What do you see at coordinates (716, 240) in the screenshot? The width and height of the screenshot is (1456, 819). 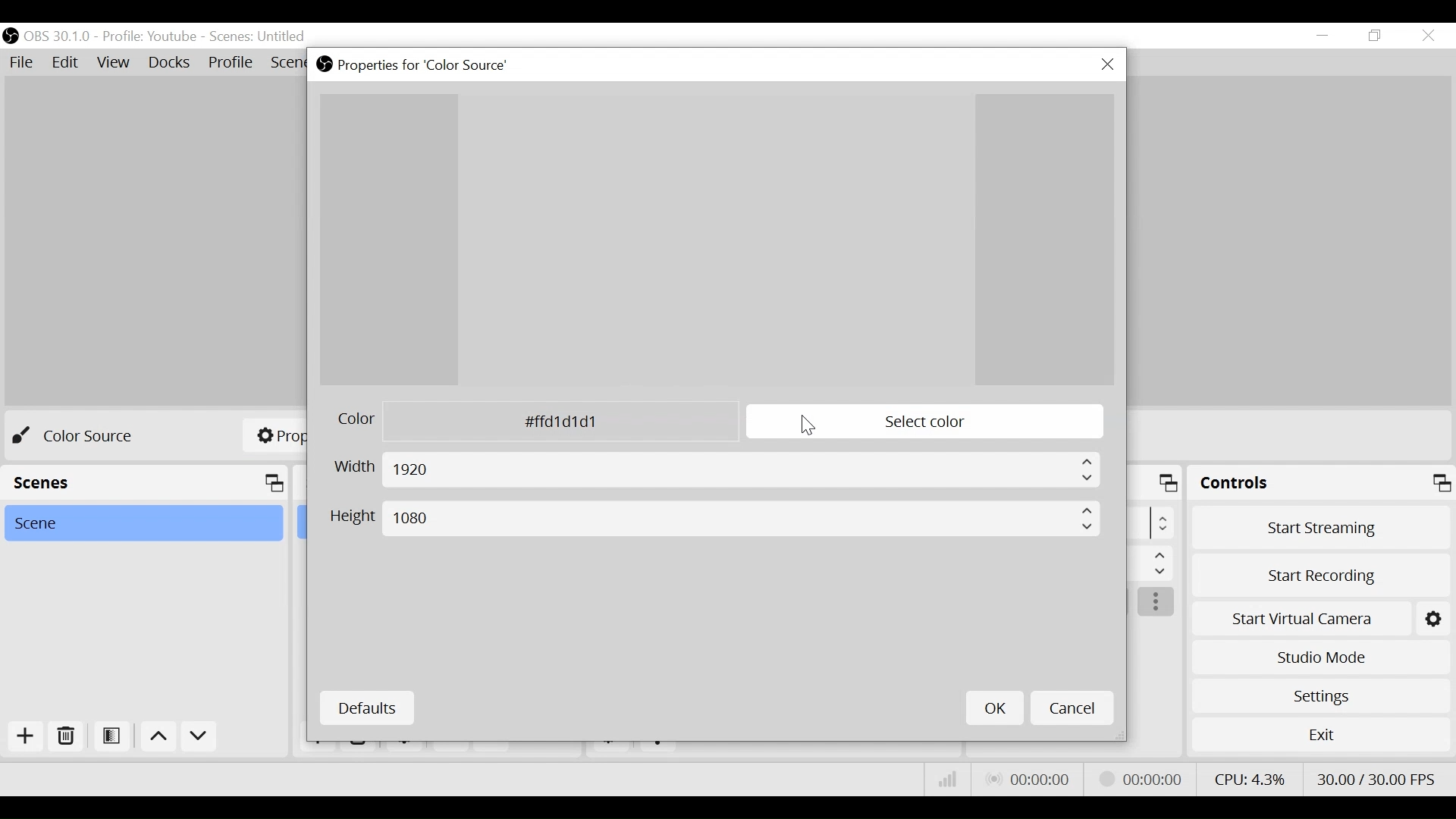 I see `Preview` at bounding box center [716, 240].